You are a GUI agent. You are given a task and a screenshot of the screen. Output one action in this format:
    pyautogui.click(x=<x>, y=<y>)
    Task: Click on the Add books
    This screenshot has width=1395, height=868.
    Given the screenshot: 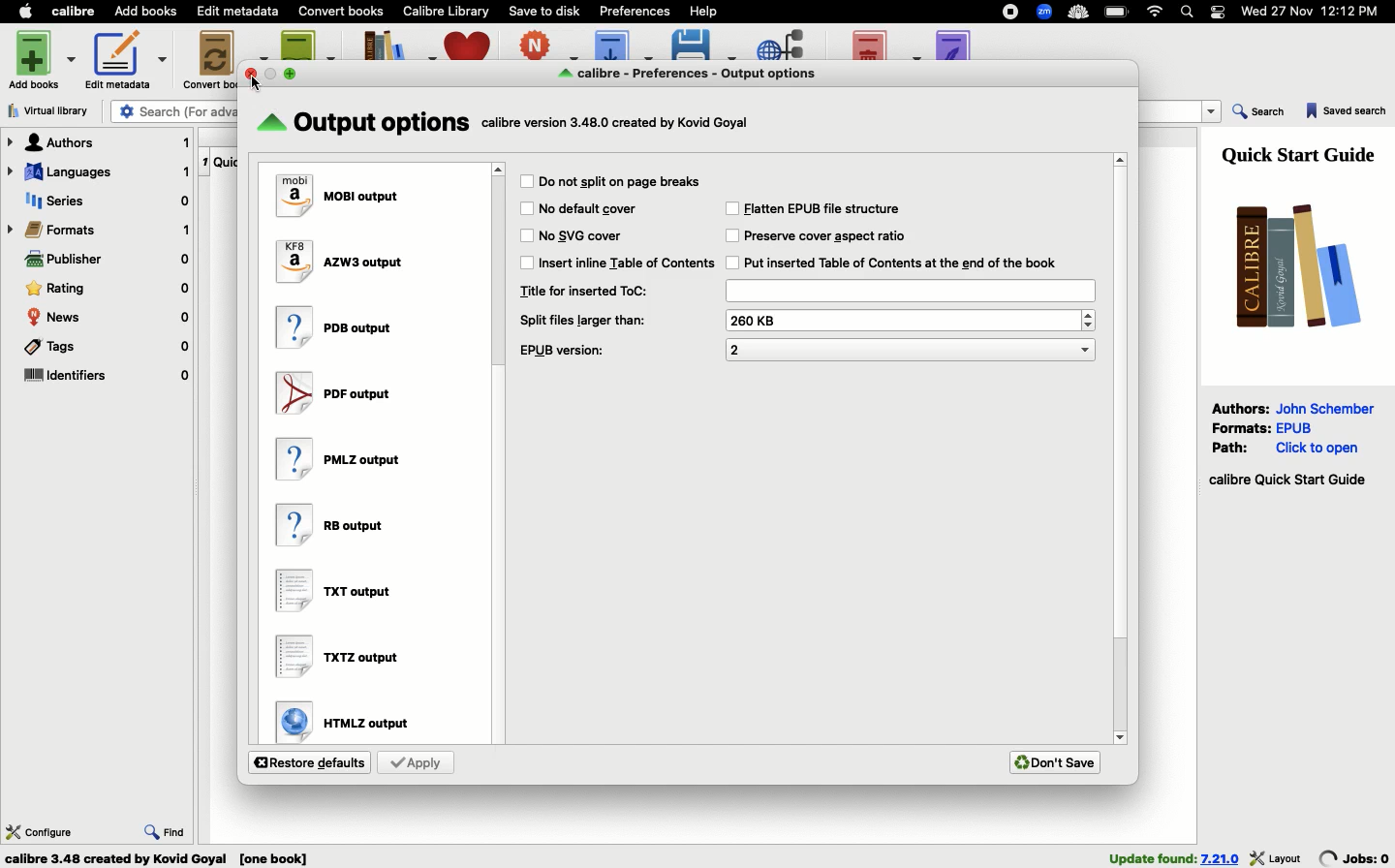 What is the action you would take?
    pyautogui.click(x=45, y=58)
    